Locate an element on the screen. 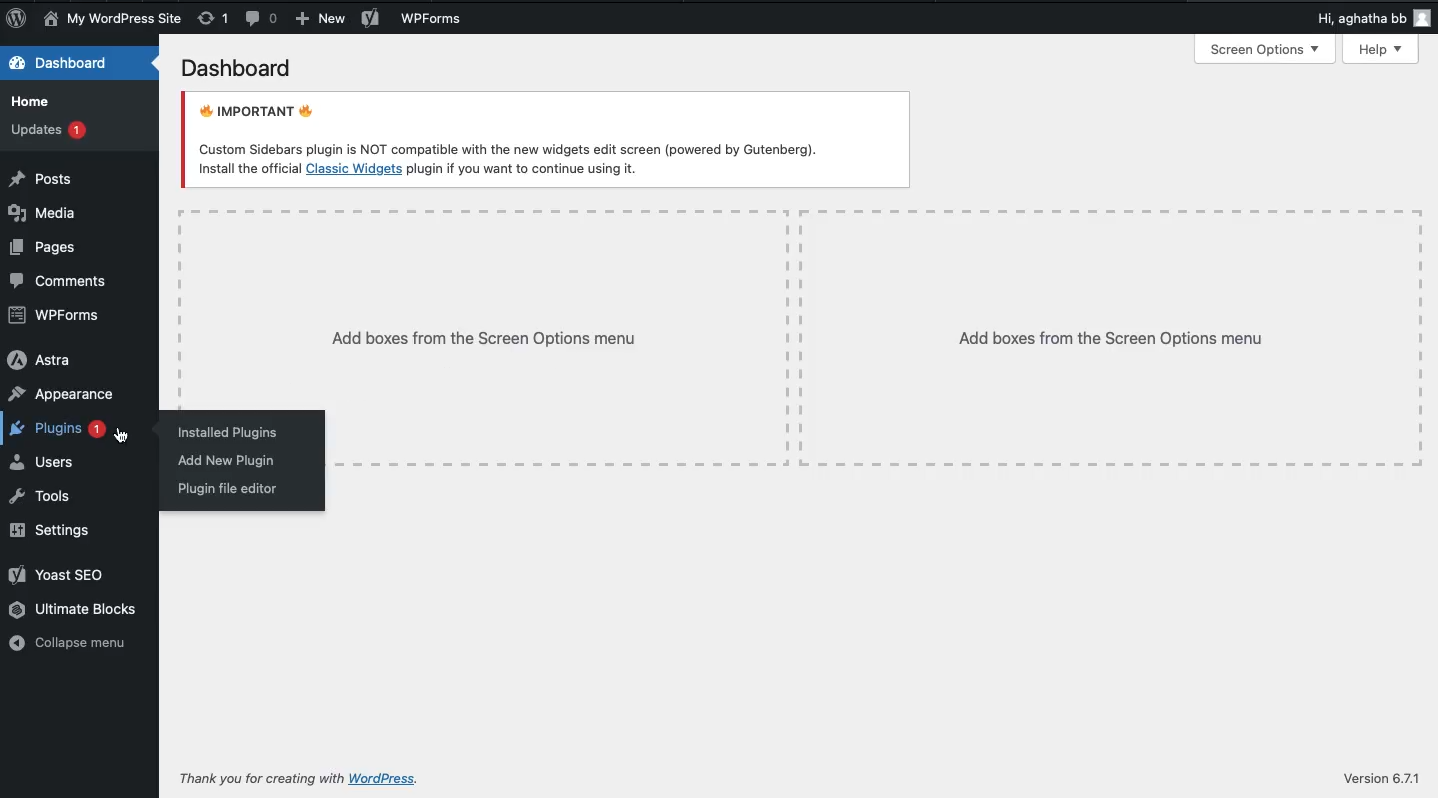 This screenshot has height=798, width=1438. New is located at coordinates (320, 19).